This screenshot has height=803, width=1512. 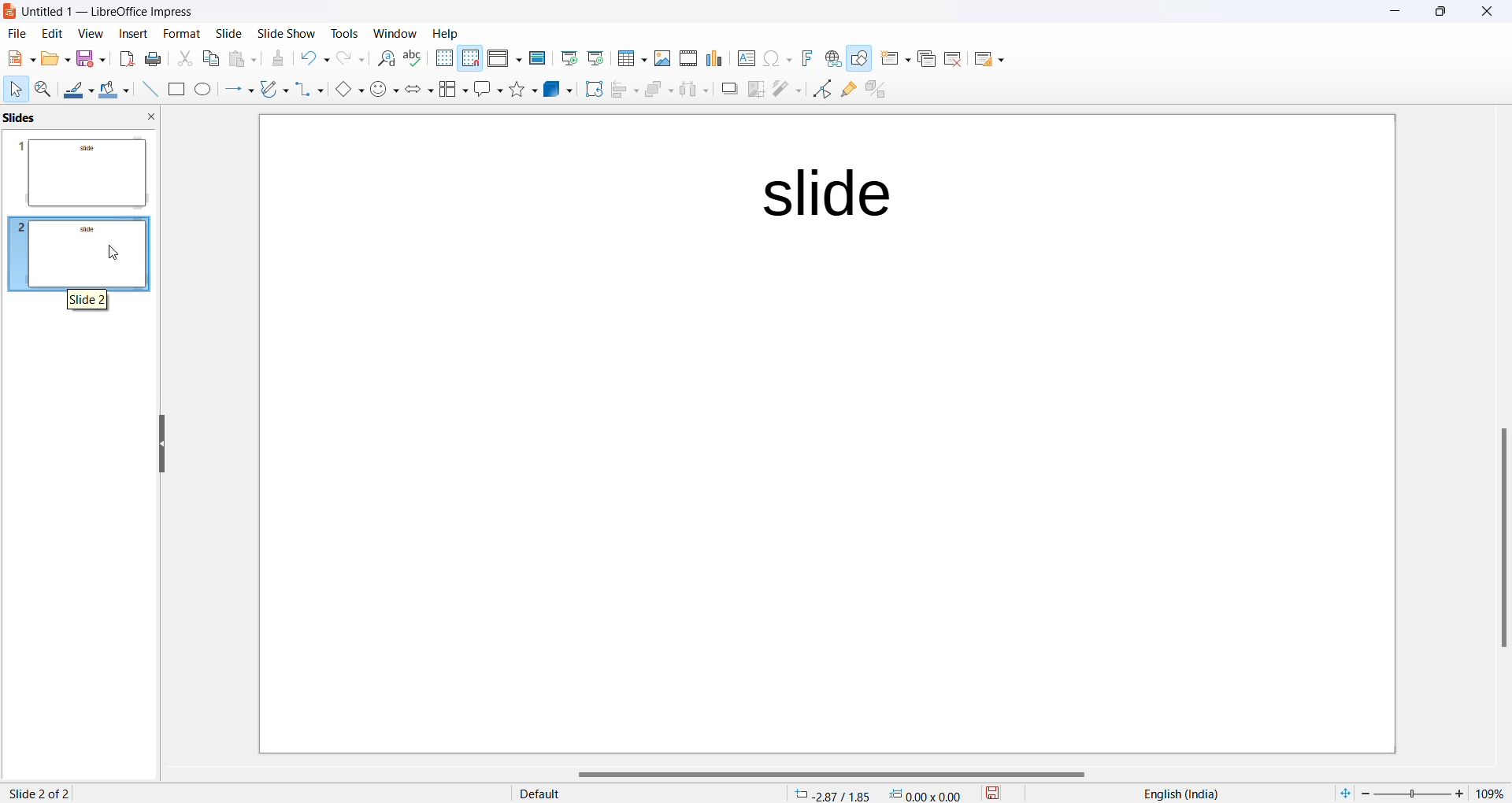 What do you see at coordinates (1416, 792) in the screenshot?
I see `zoom slider` at bounding box center [1416, 792].